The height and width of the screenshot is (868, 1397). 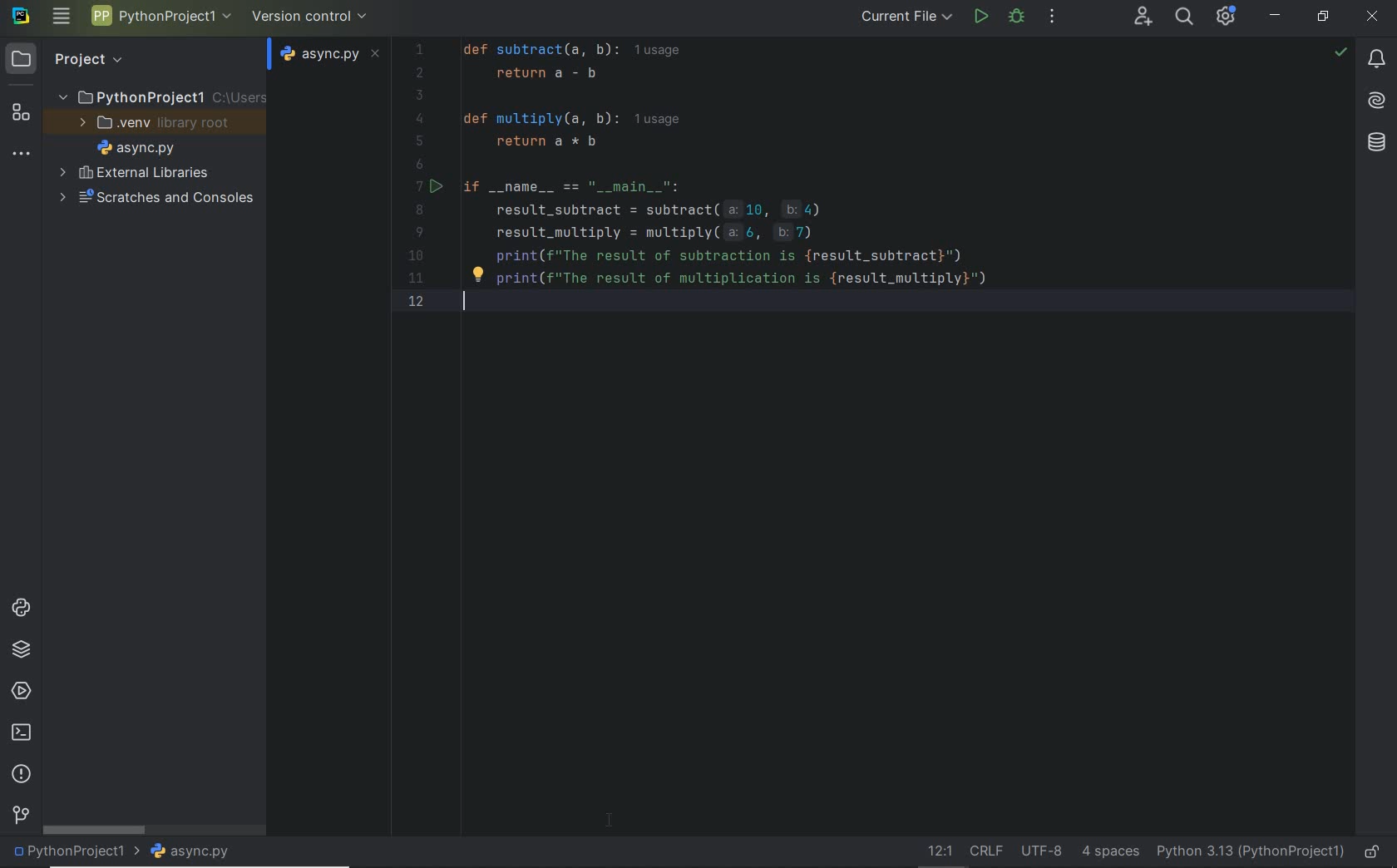 What do you see at coordinates (20, 816) in the screenshot?
I see `version control` at bounding box center [20, 816].